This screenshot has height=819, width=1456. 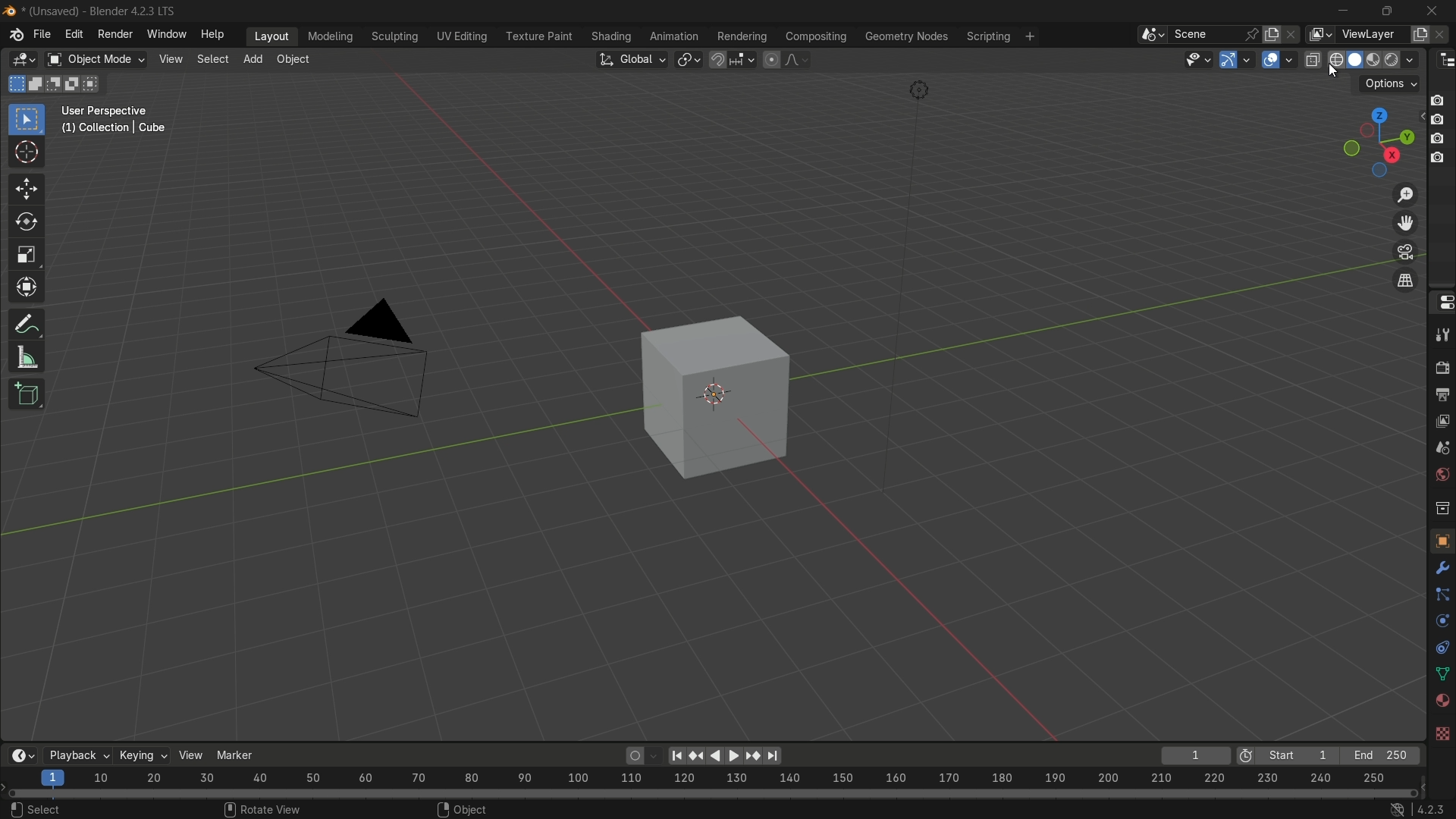 I want to click on zoom in and out, so click(x=1407, y=193).